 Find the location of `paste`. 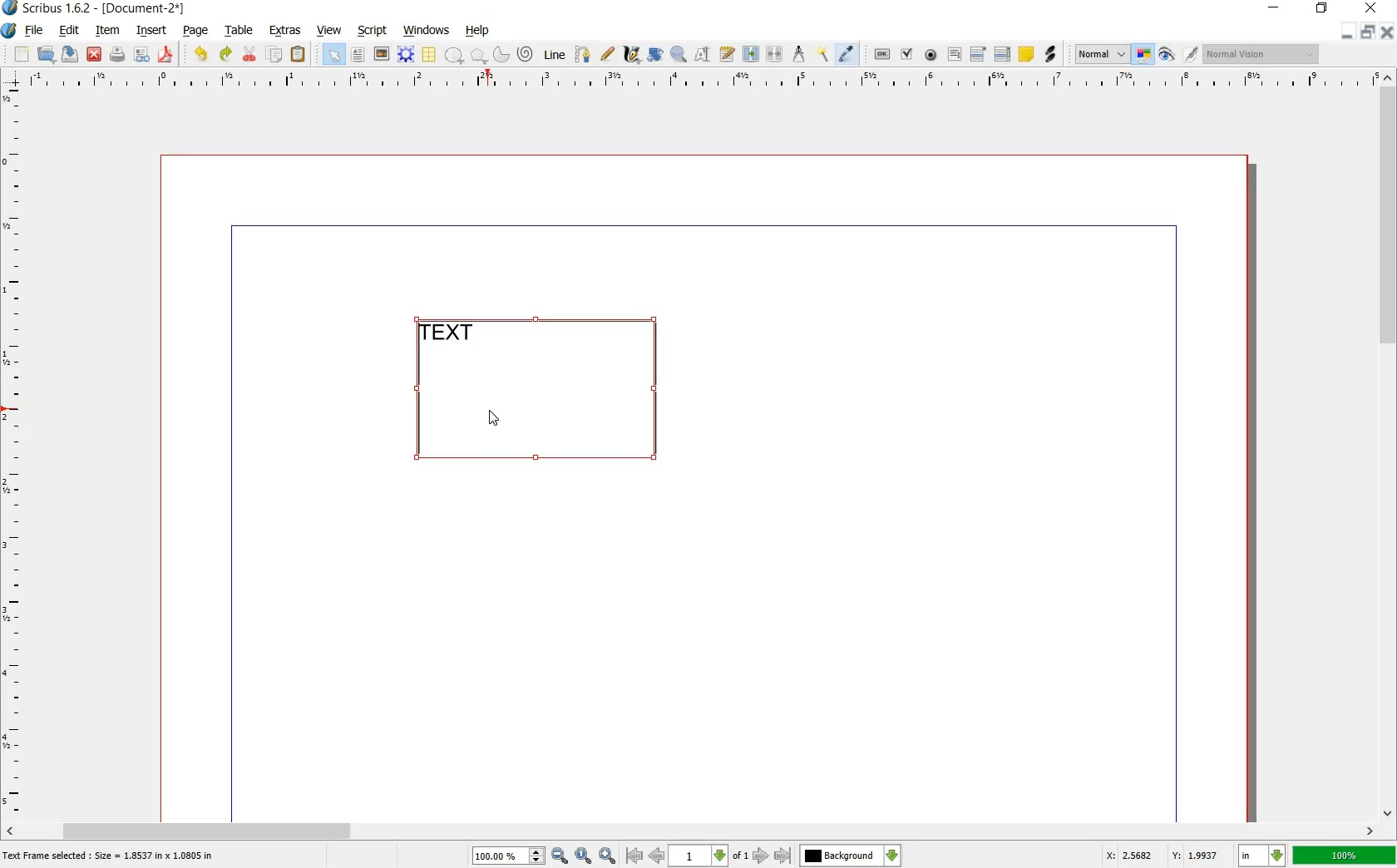

paste is located at coordinates (299, 55).